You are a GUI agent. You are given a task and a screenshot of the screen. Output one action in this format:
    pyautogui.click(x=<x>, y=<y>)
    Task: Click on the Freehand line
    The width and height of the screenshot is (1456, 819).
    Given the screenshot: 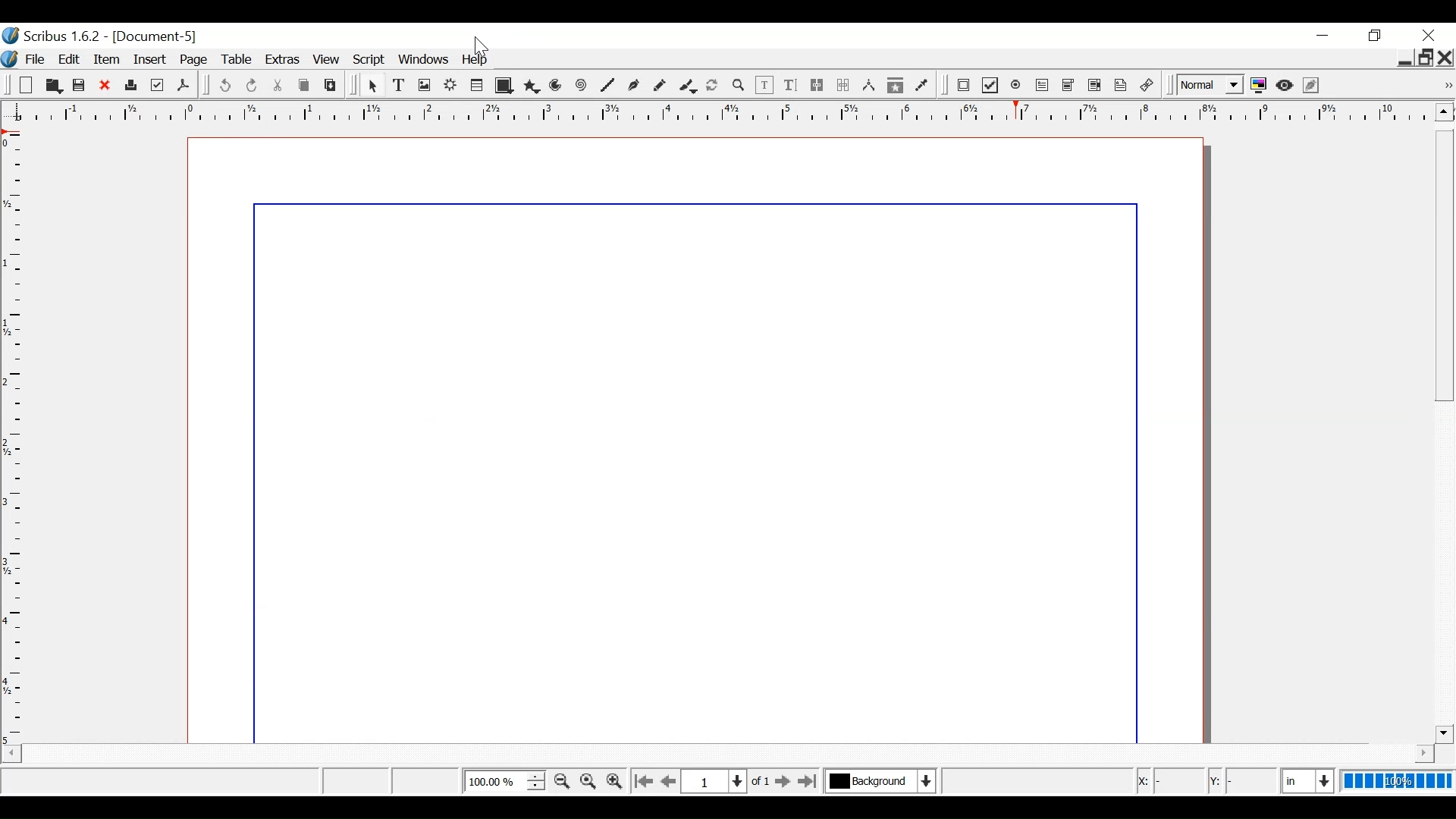 What is the action you would take?
    pyautogui.click(x=659, y=86)
    